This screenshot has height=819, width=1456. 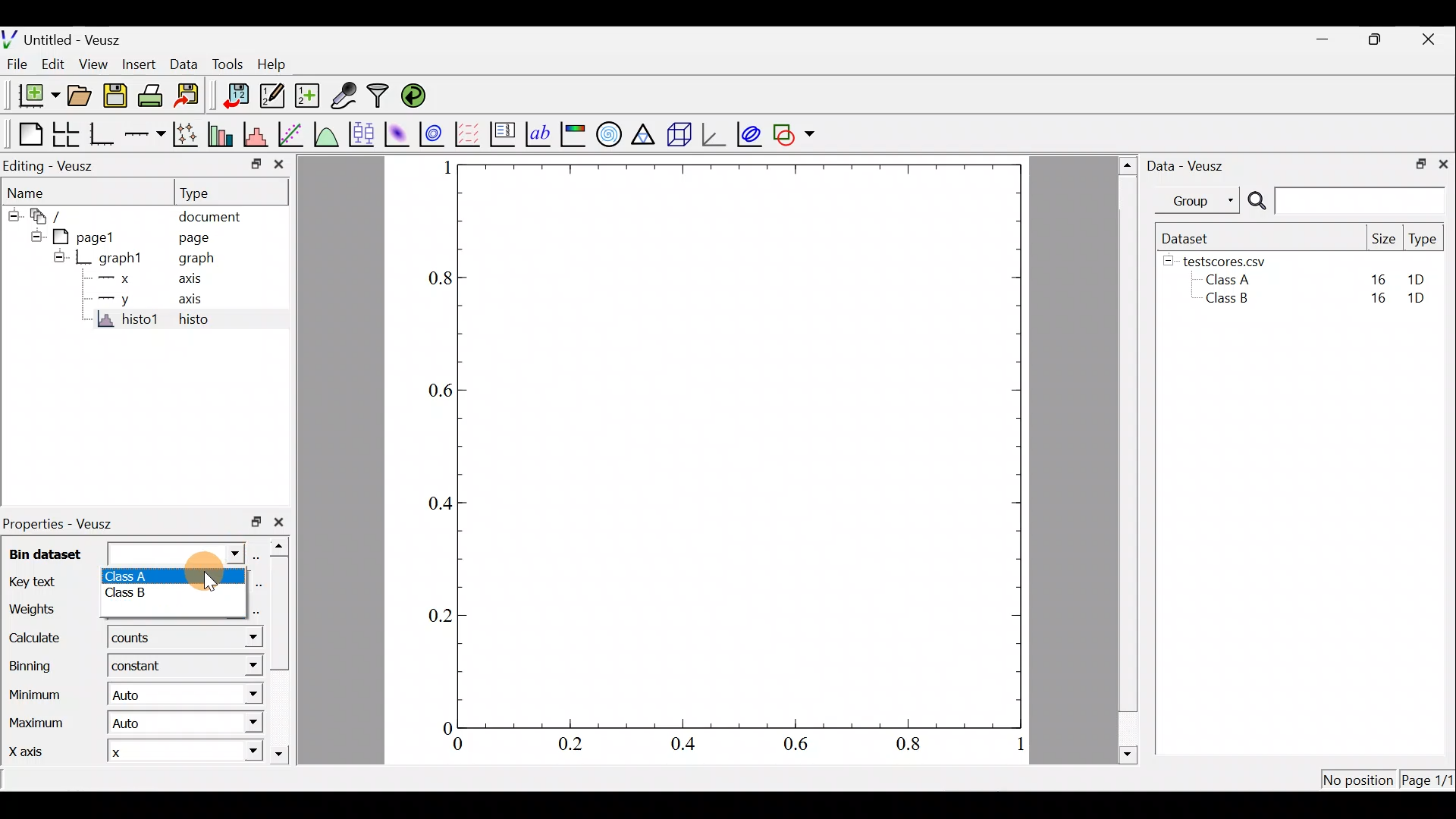 What do you see at coordinates (237, 753) in the screenshot?
I see `X axis dropdown` at bounding box center [237, 753].